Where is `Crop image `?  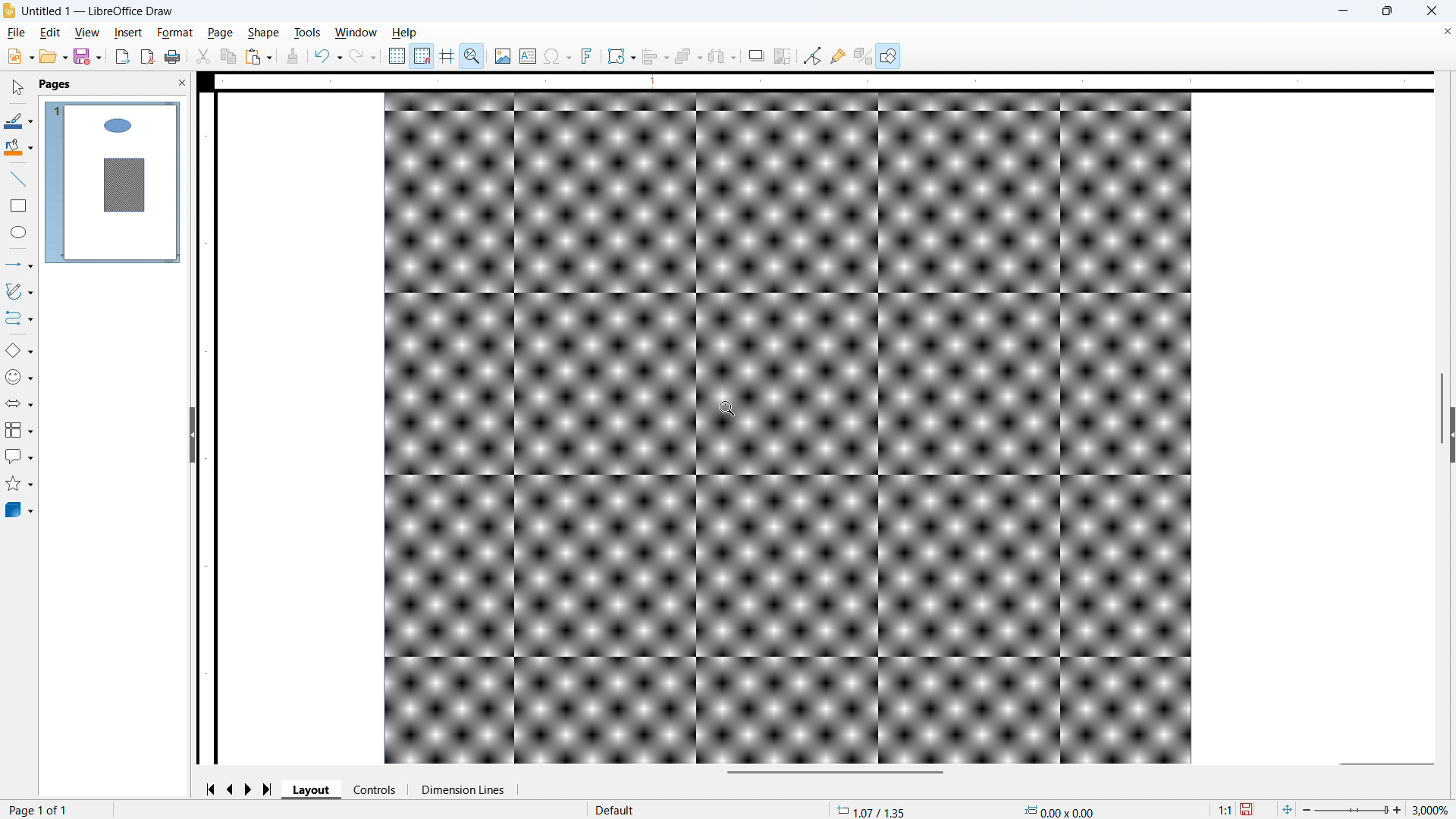
Crop image  is located at coordinates (783, 55).